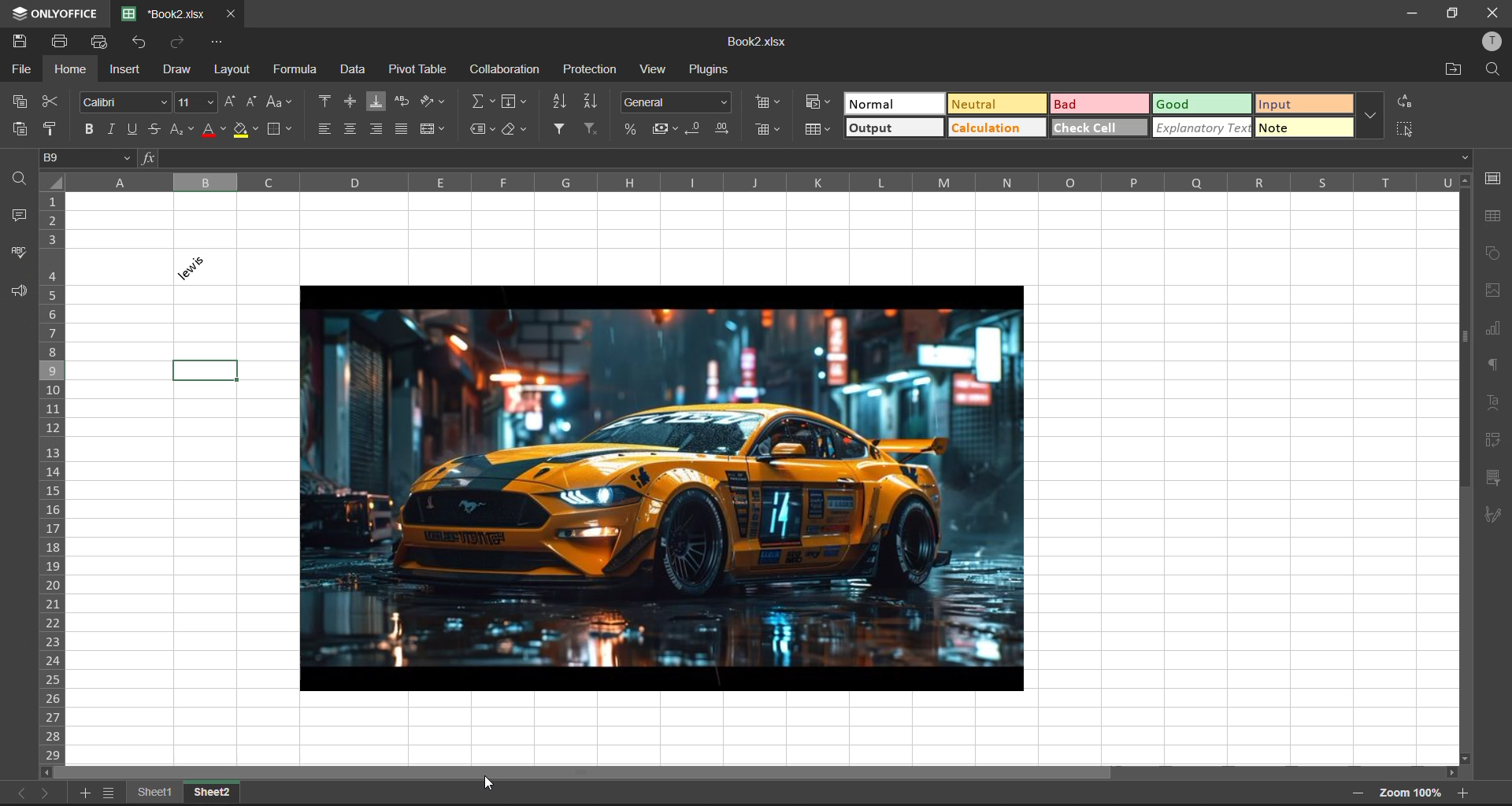 The image size is (1512, 806). Describe the element at coordinates (229, 16) in the screenshot. I see `close tab` at that location.